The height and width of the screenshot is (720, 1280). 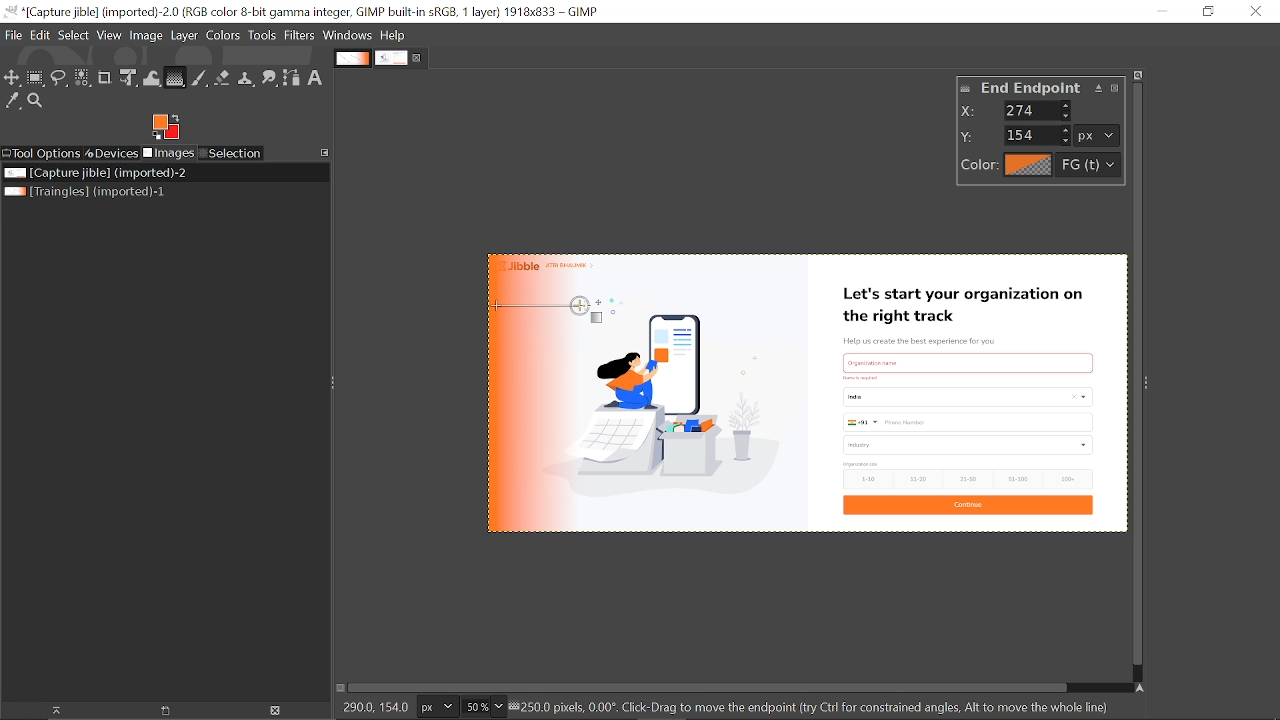 I want to click on Windows, so click(x=348, y=36).